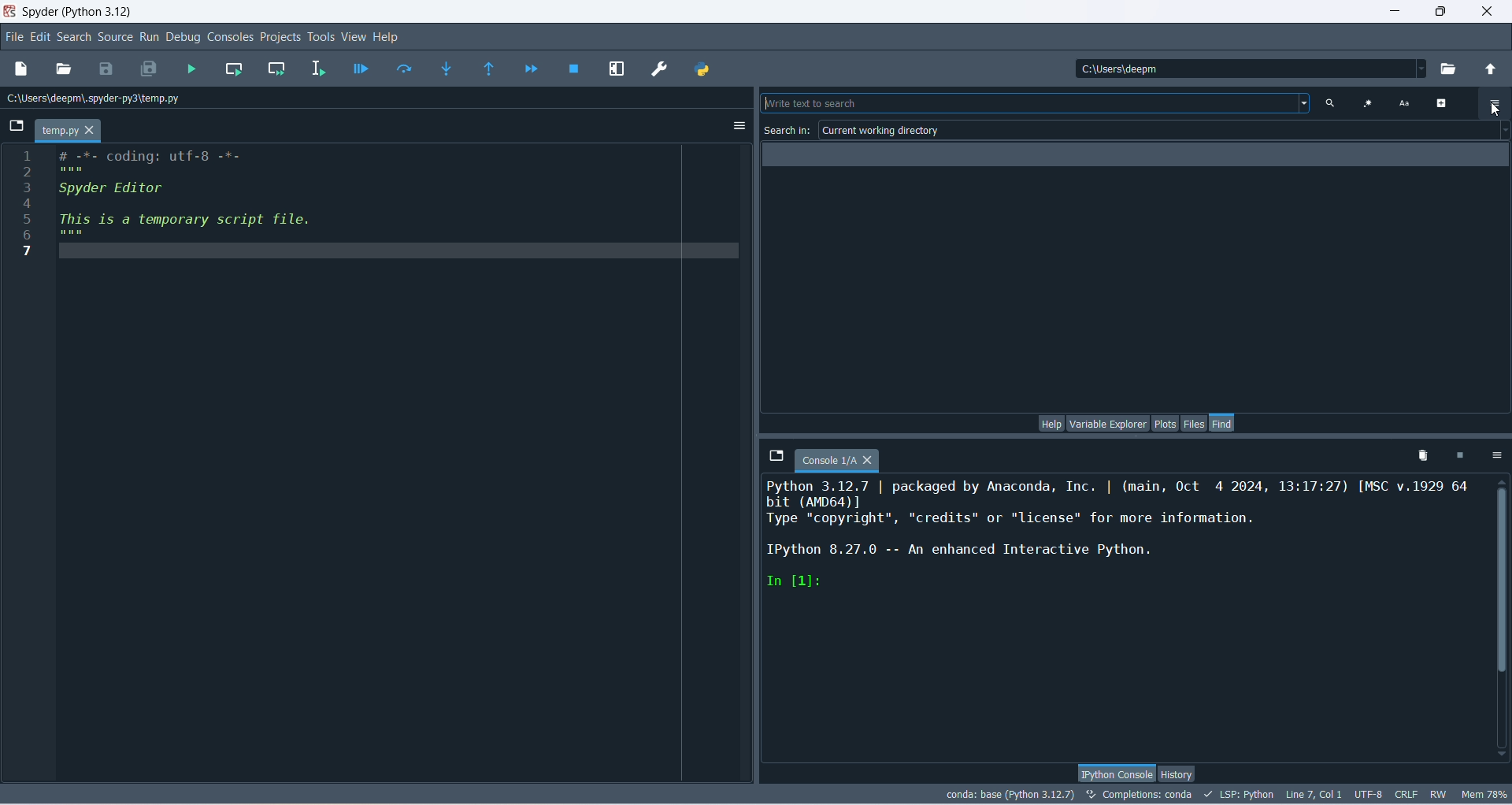 This screenshot has width=1512, height=805. Describe the element at coordinates (489, 69) in the screenshot. I see `run until the current function returns` at that location.